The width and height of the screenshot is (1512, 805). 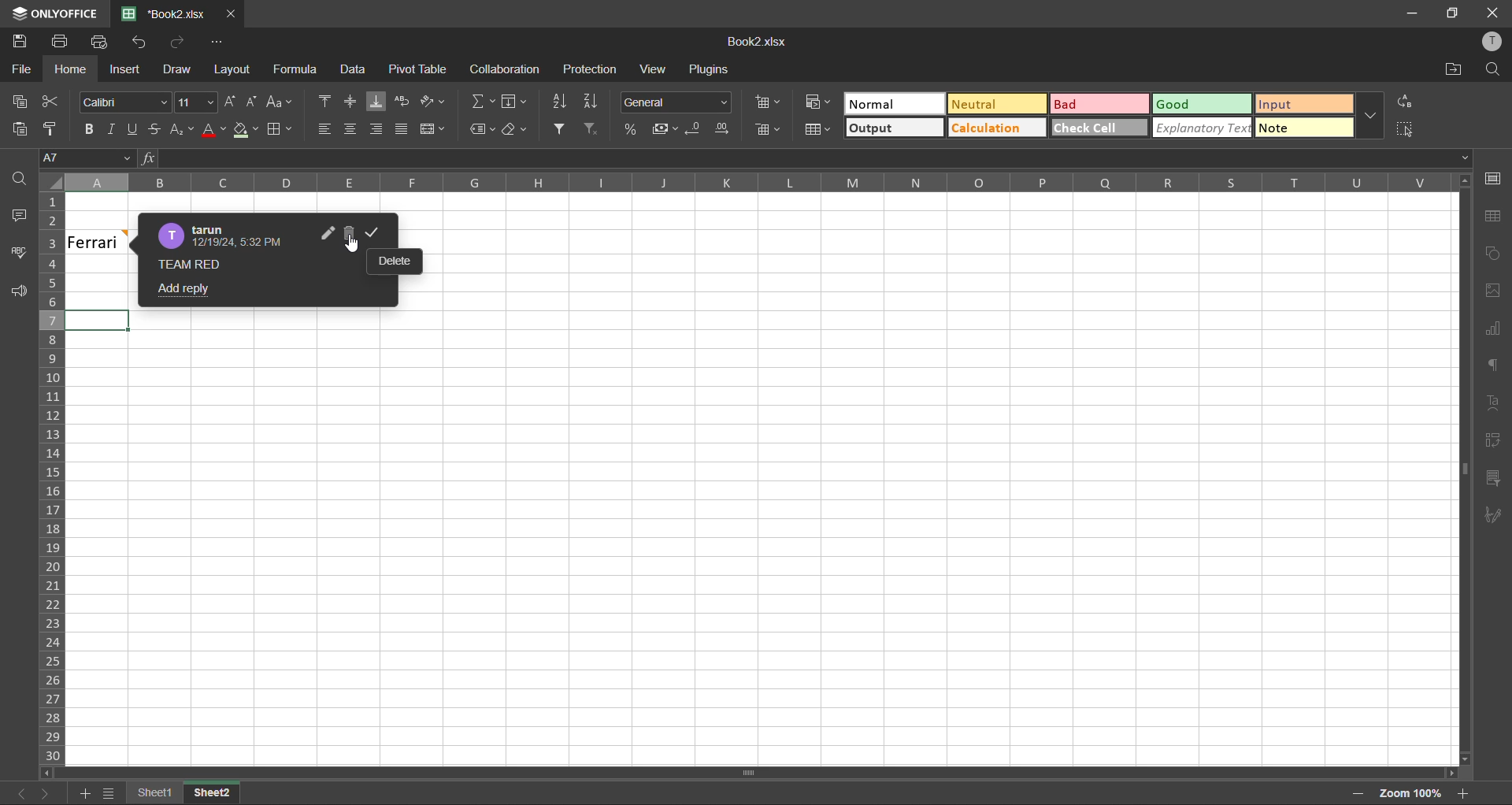 I want to click on mark as resolved, so click(x=378, y=233).